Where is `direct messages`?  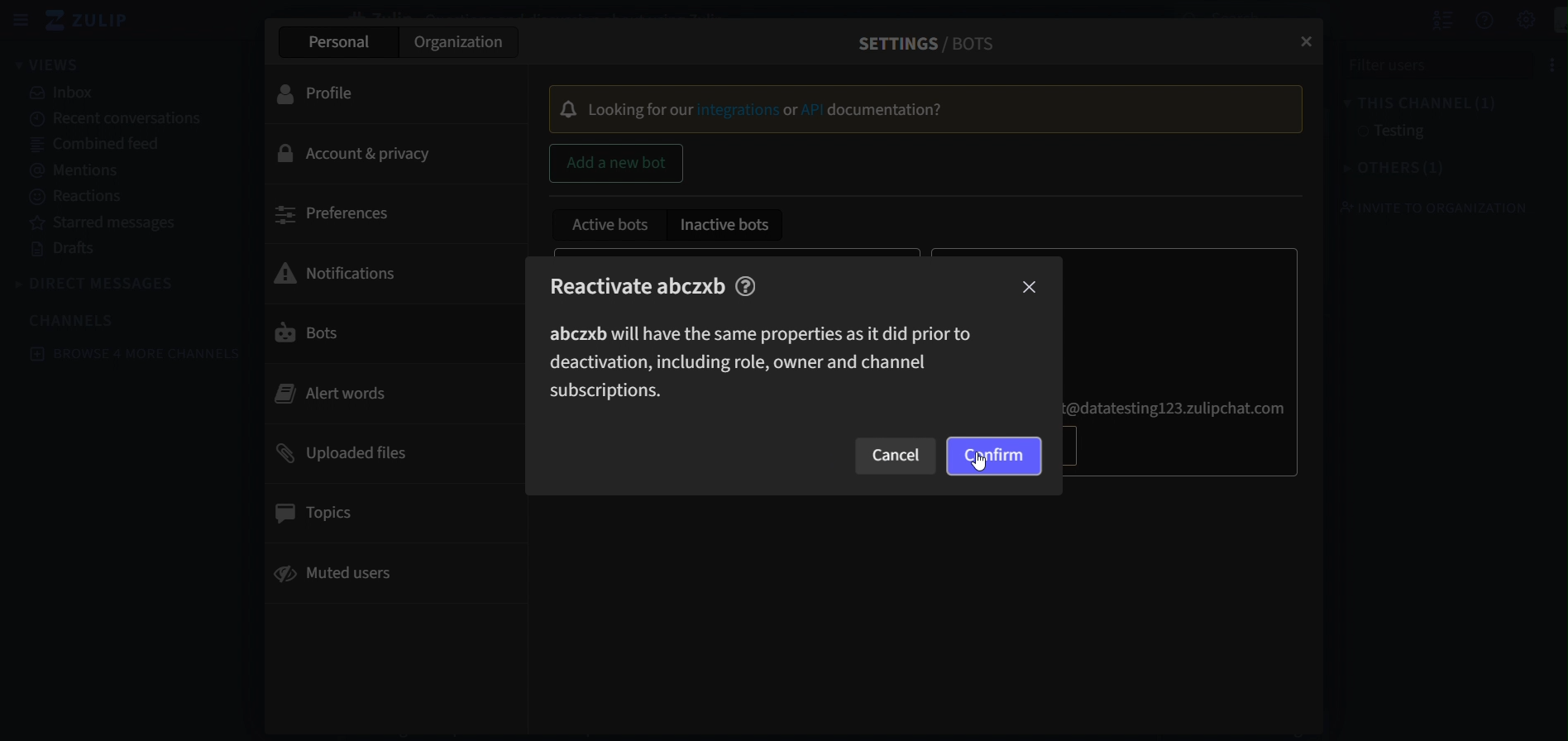 direct messages is located at coordinates (117, 283).